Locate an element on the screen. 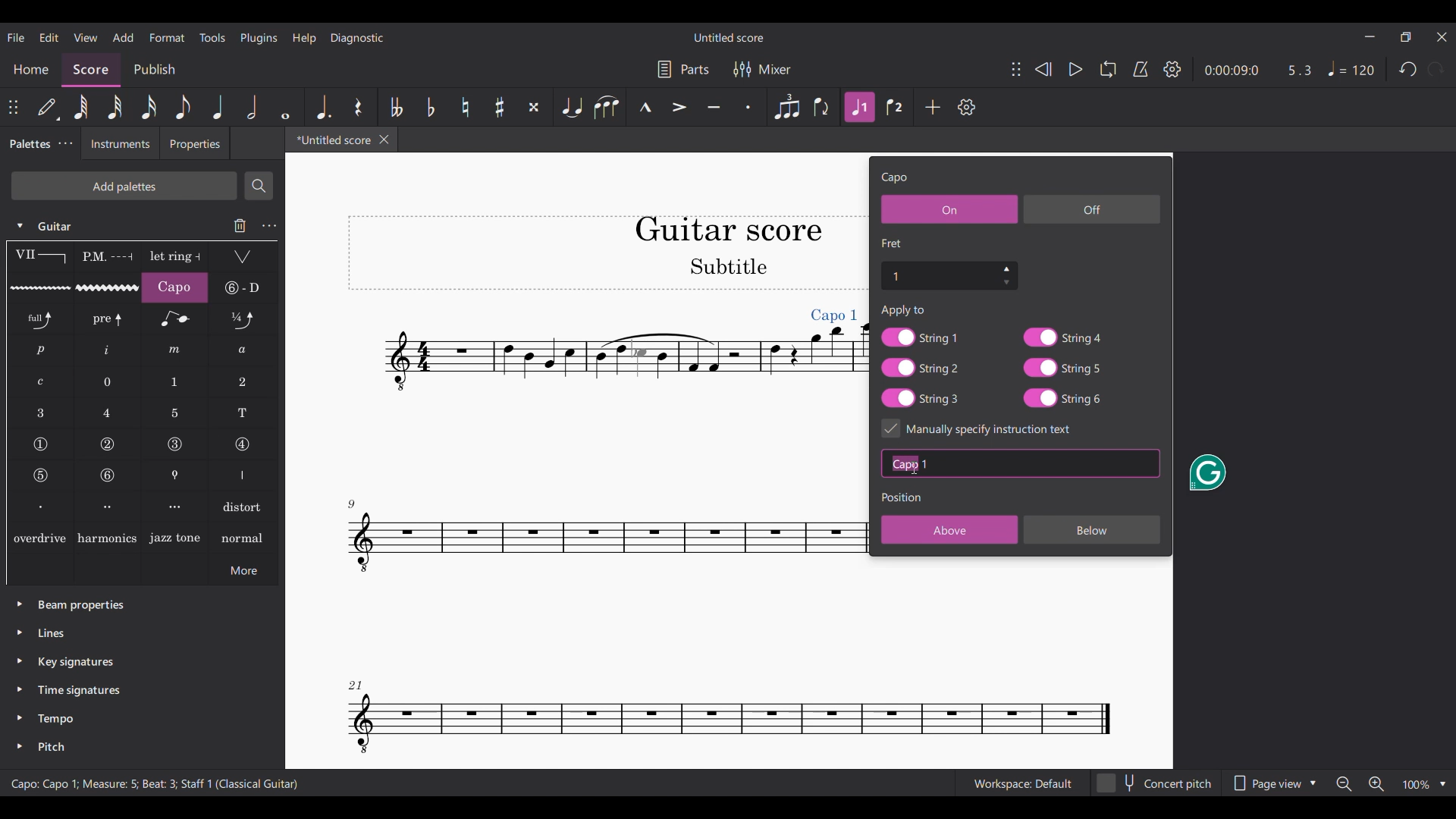  Guitar settings is located at coordinates (269, 226).